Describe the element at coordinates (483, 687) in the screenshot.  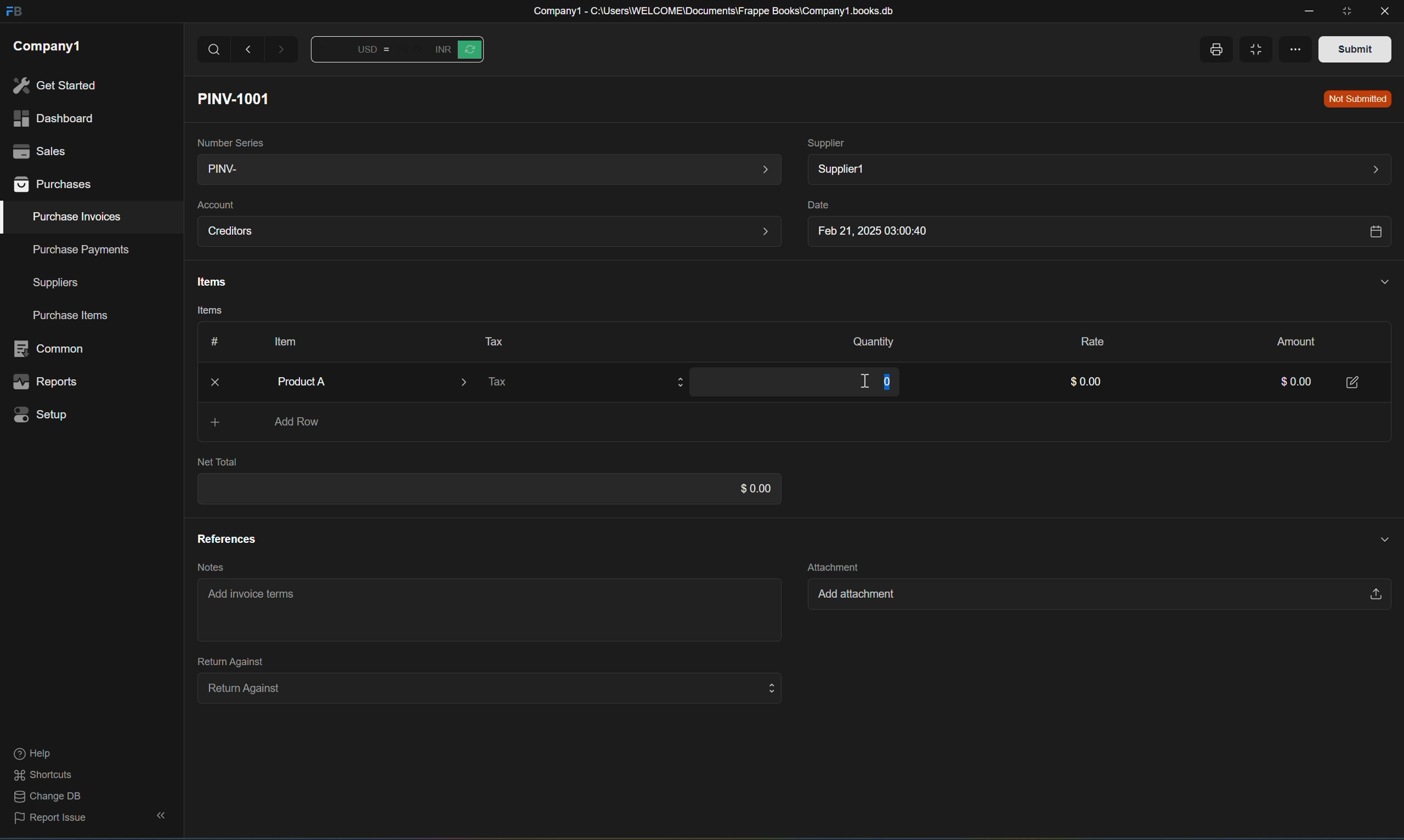
I see `Return Against` at that location.